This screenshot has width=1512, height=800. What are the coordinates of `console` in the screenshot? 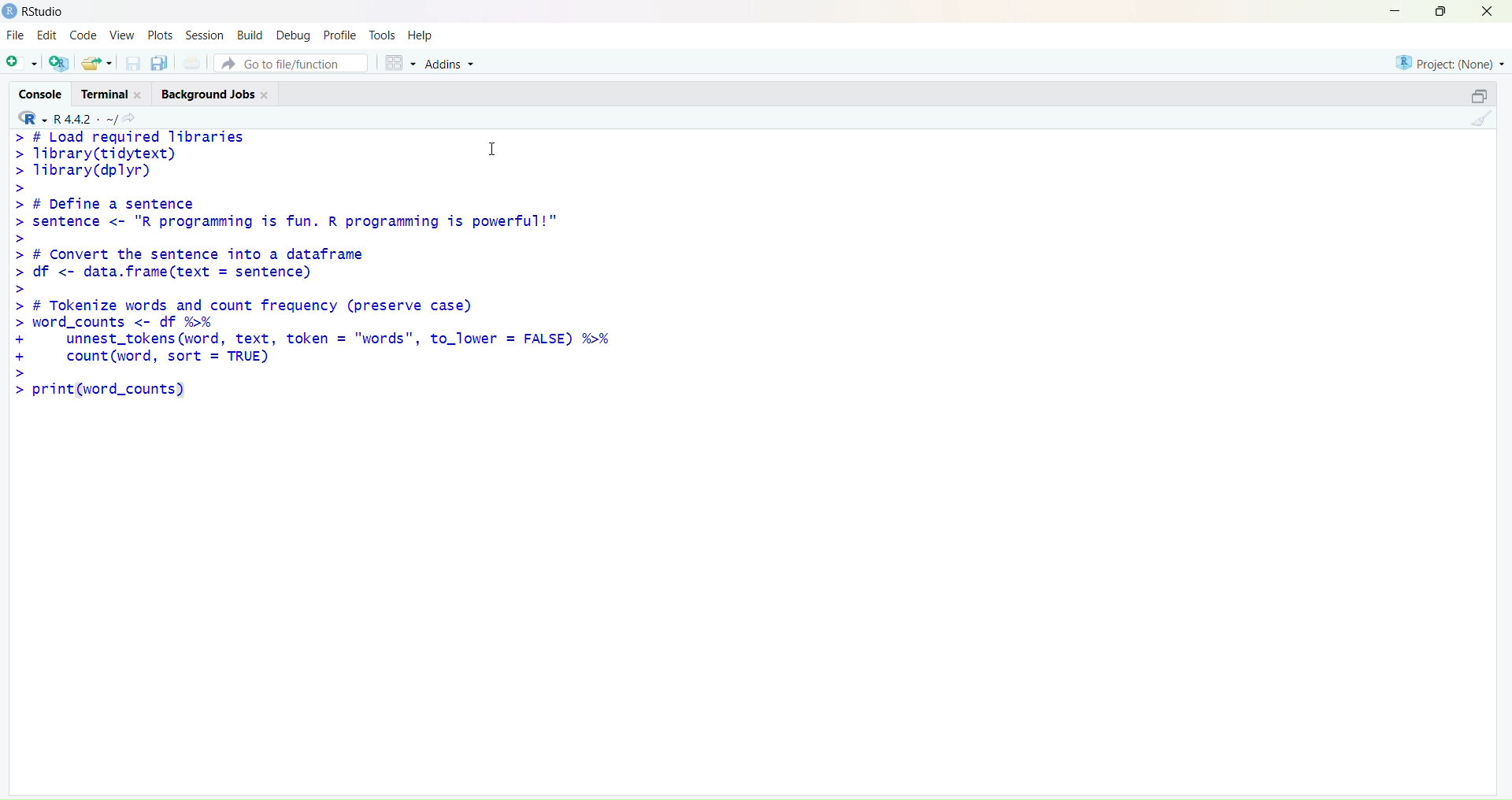 It's located at (43, 94).